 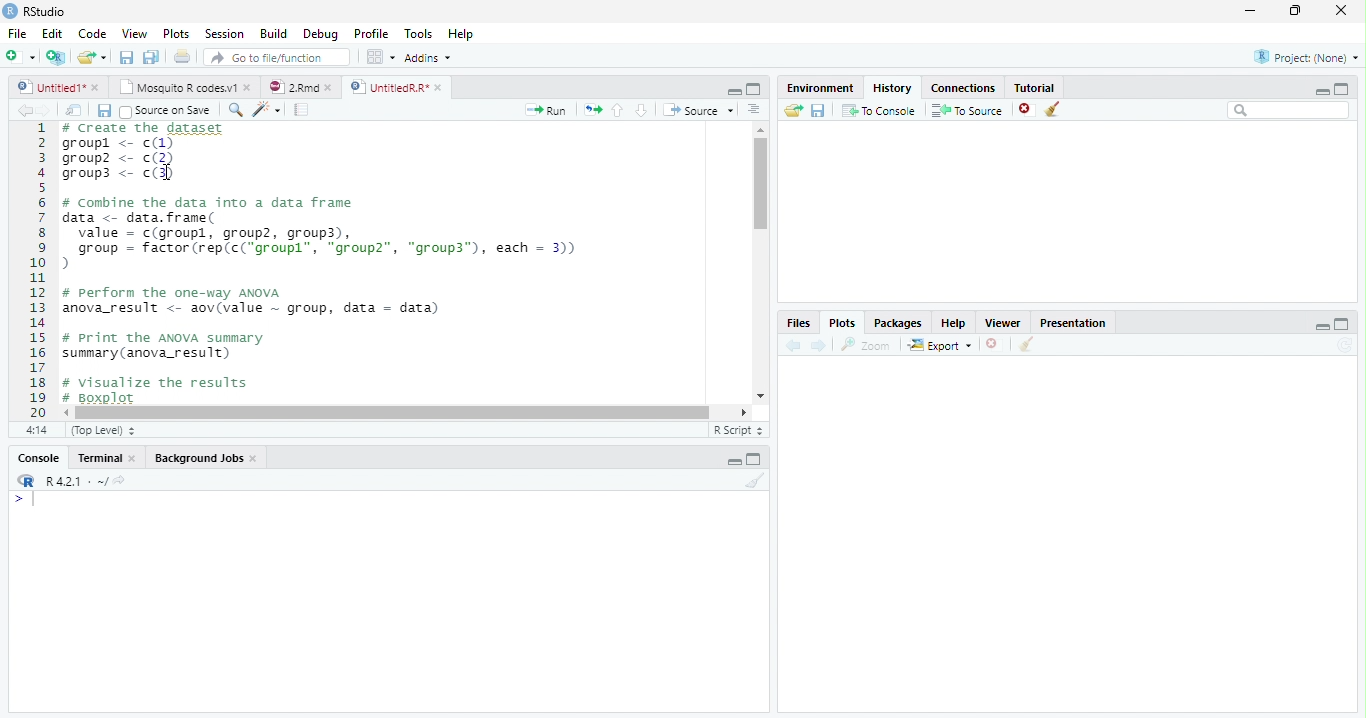 What do you see at coordinates (1305, 57) in the screenshot?
I see `Project (None)` at bounding box center [1305, 57].